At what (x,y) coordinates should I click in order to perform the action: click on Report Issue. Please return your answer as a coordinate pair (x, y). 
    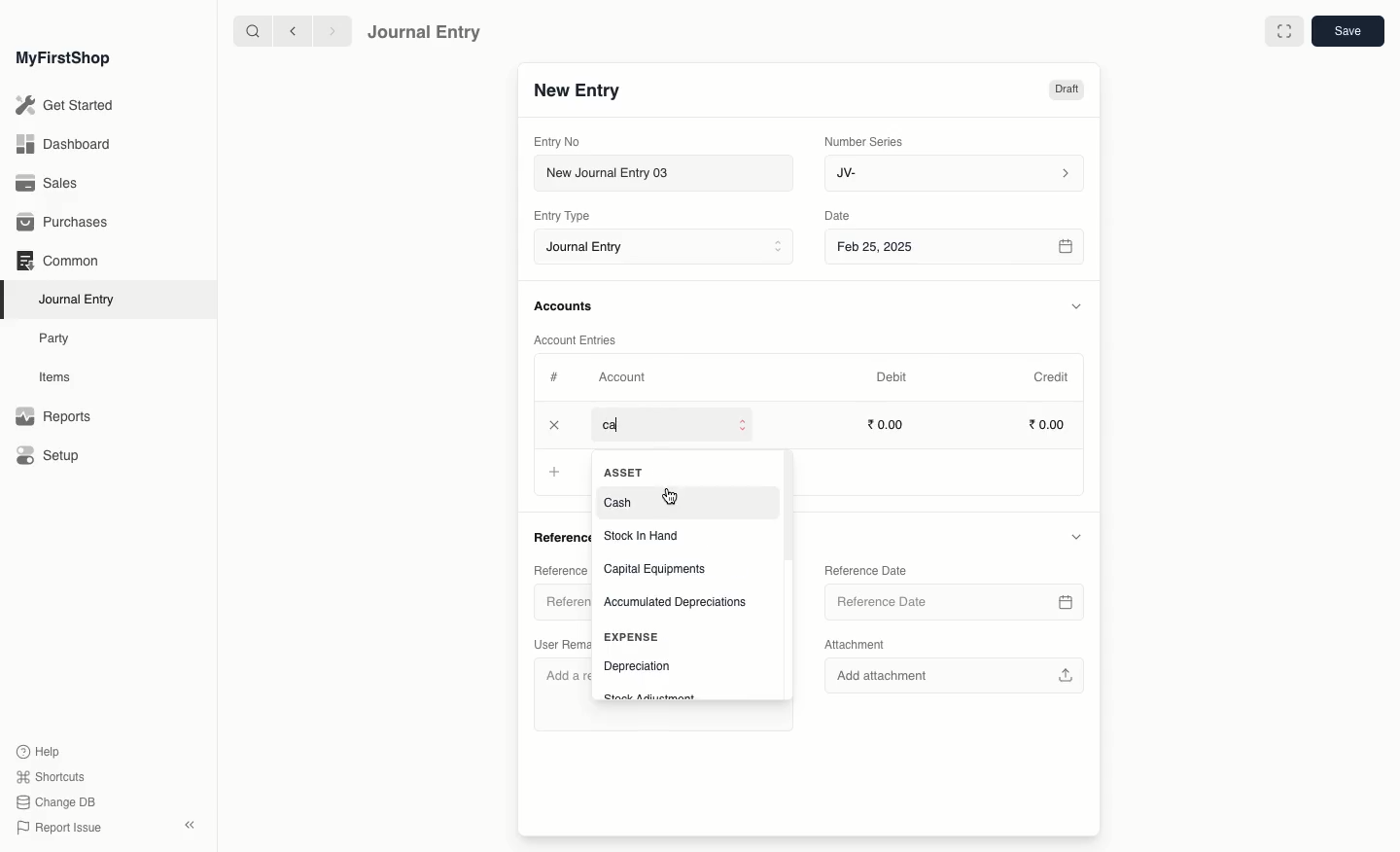
    Looking at the image, I should click on (57, 828).